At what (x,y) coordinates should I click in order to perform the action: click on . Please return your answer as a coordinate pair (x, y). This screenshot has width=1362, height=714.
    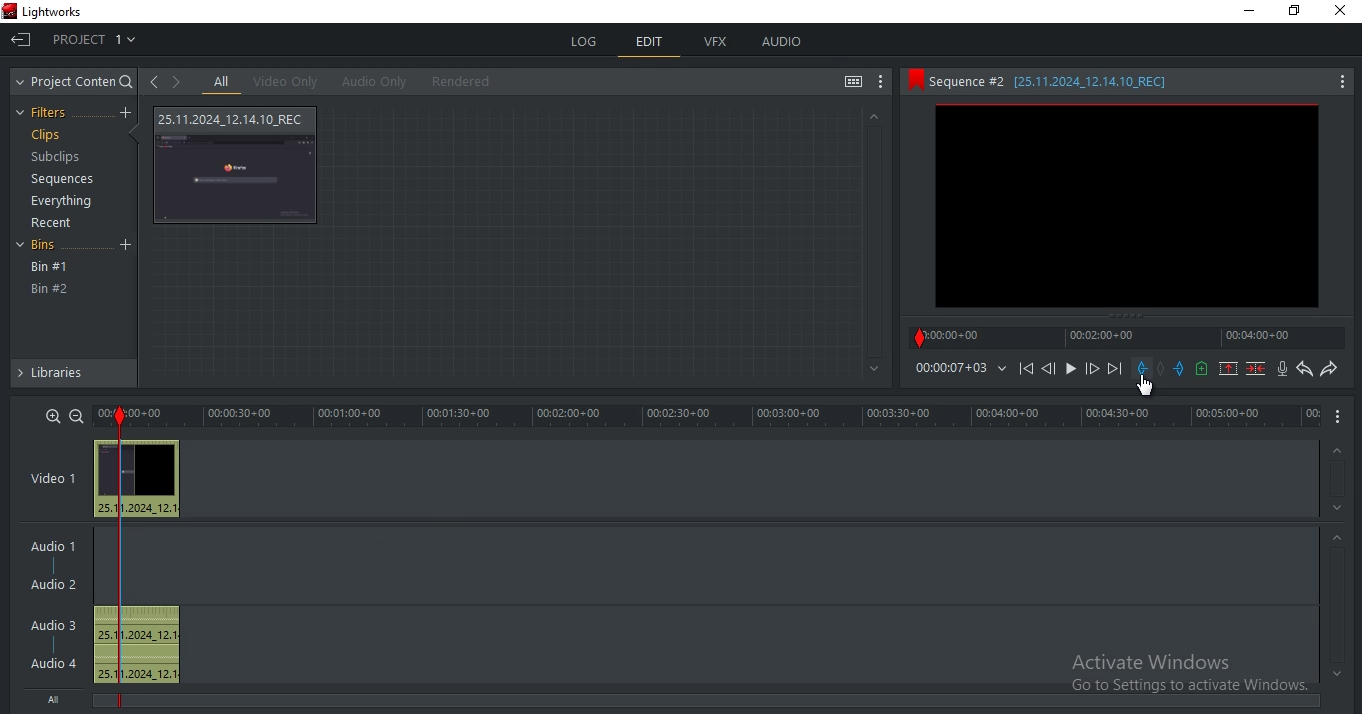
    Looking at the image, I should click on (855, 80).